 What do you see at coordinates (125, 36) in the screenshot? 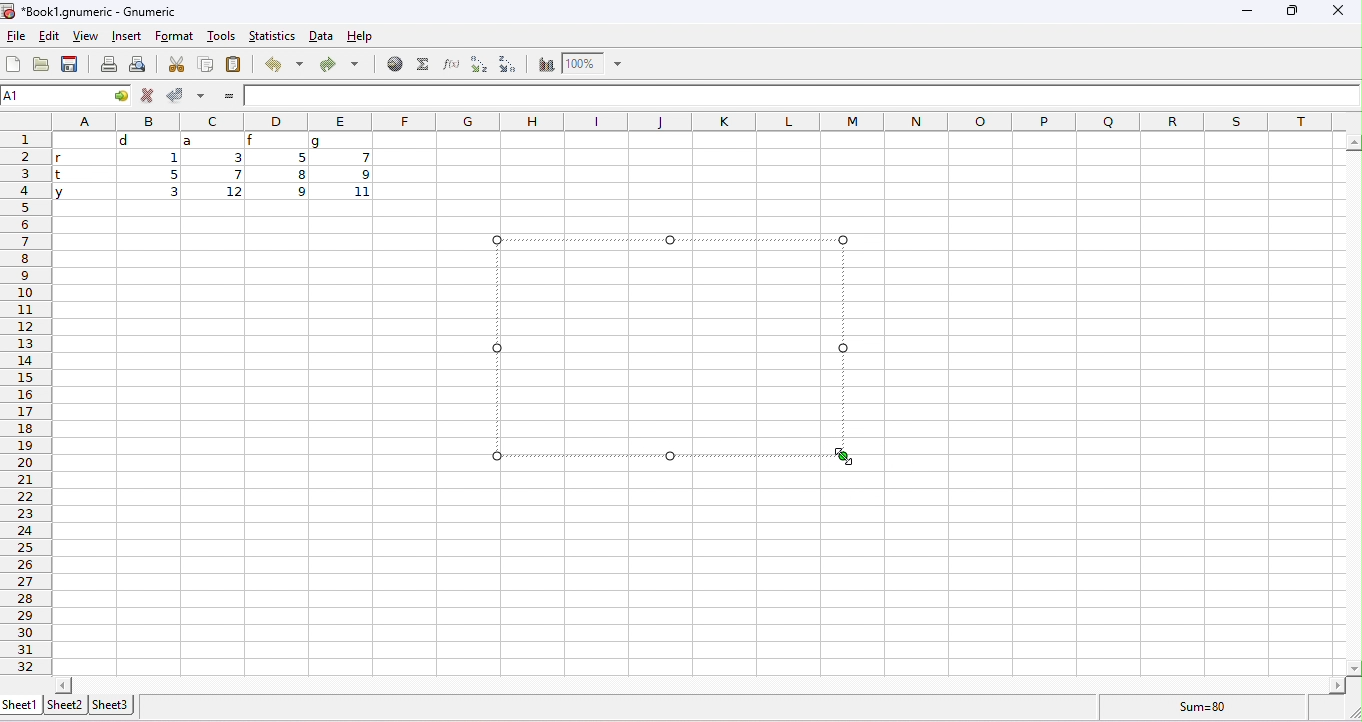
I see `insert` at bounding box center [125, 36].